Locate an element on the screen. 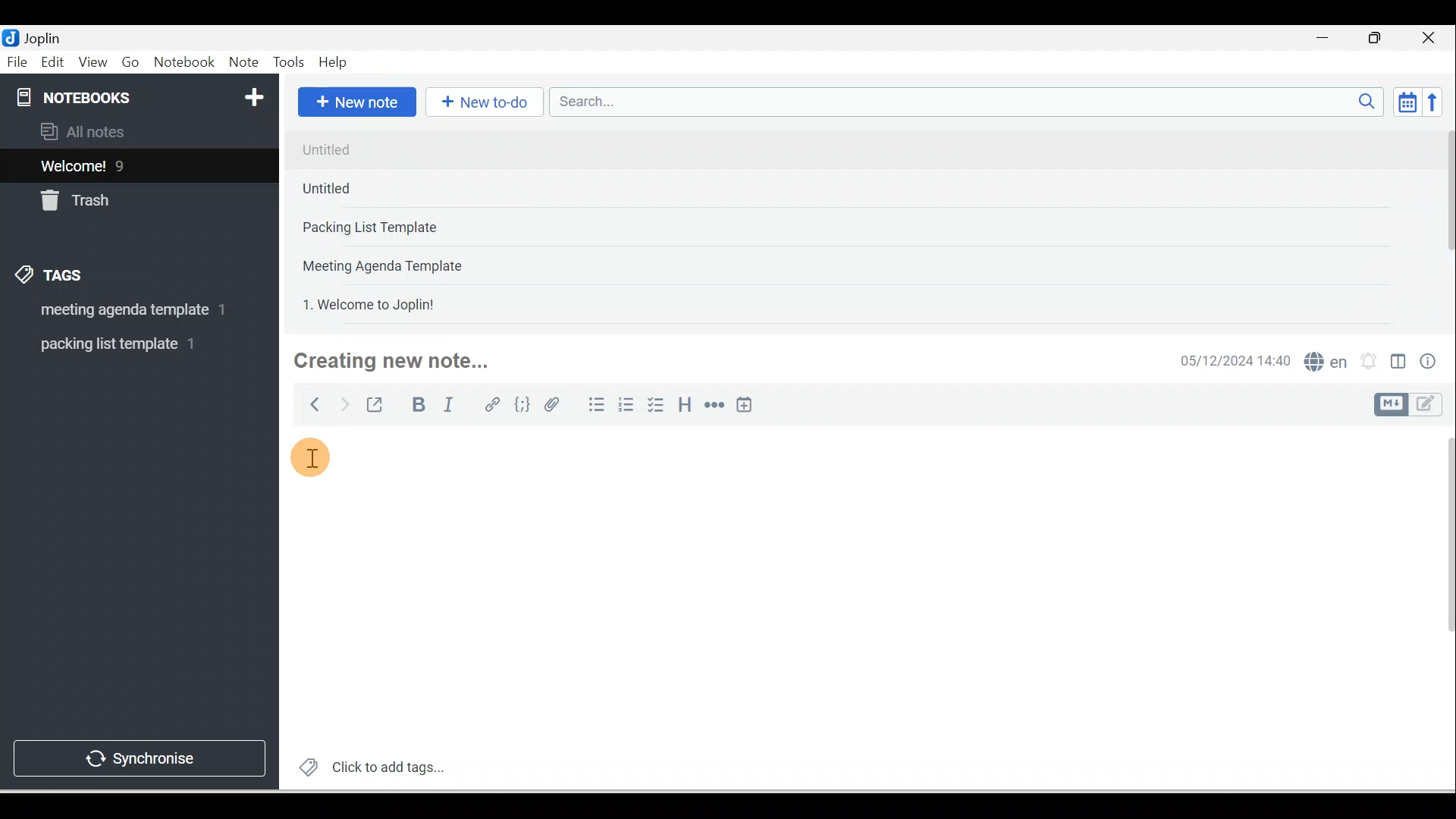 This screenshot has height=819, width=1456. Horizontal rule is located at coordinates (716, 405).